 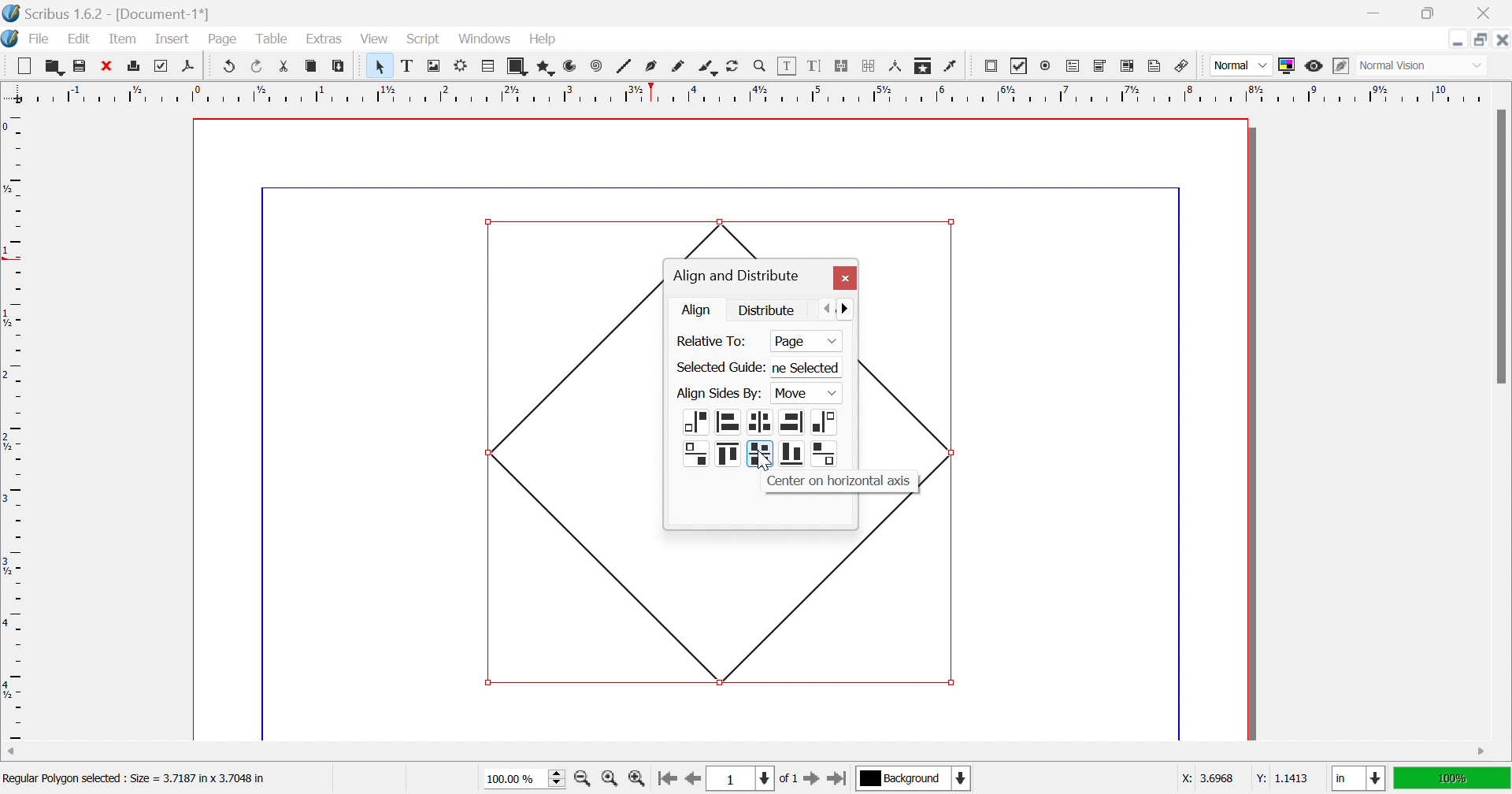 I want to click on Freehand line, so click(x=678, y=67).